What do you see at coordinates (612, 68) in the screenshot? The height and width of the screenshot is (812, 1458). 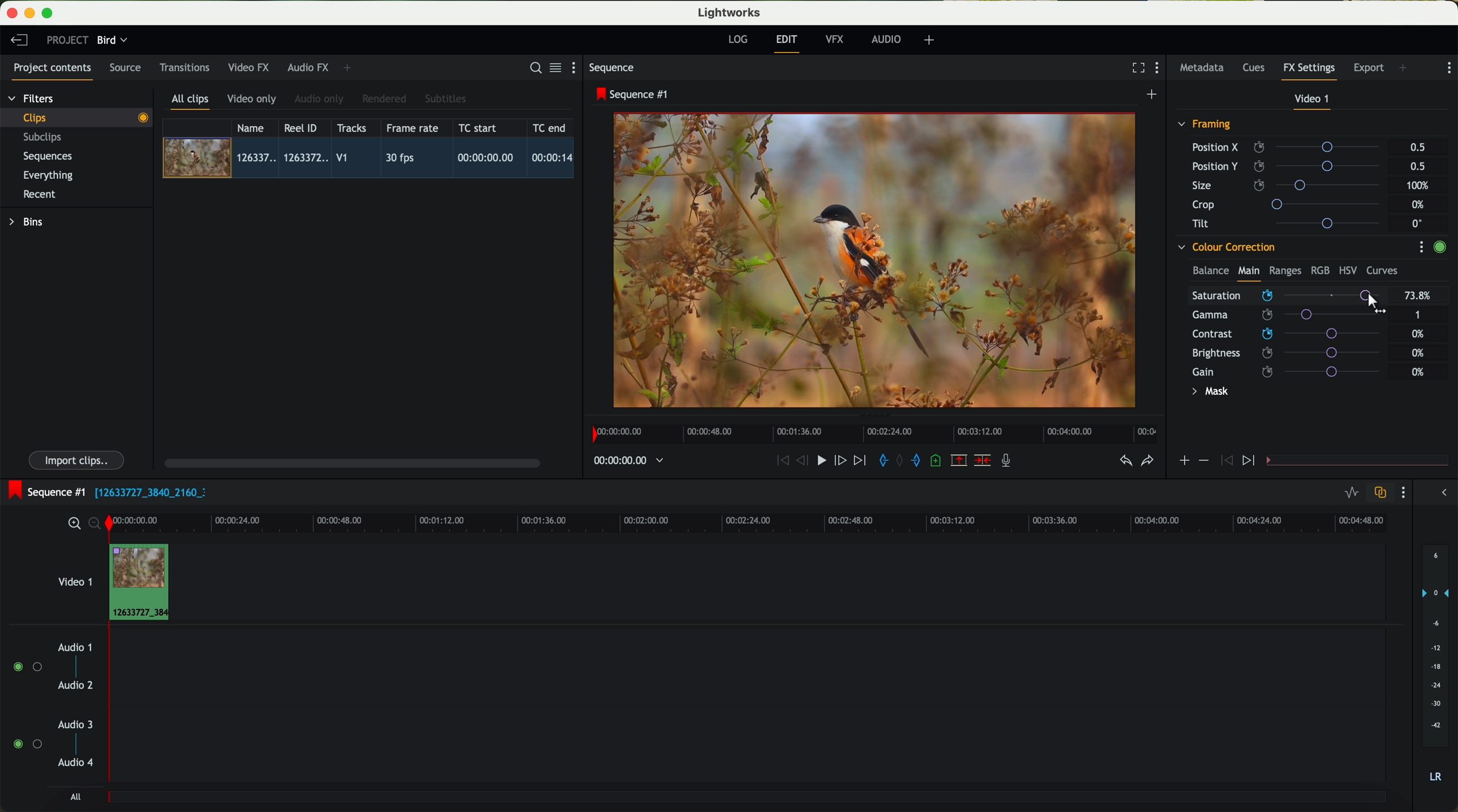 I see `sequence` at bounding box center [612, 68].